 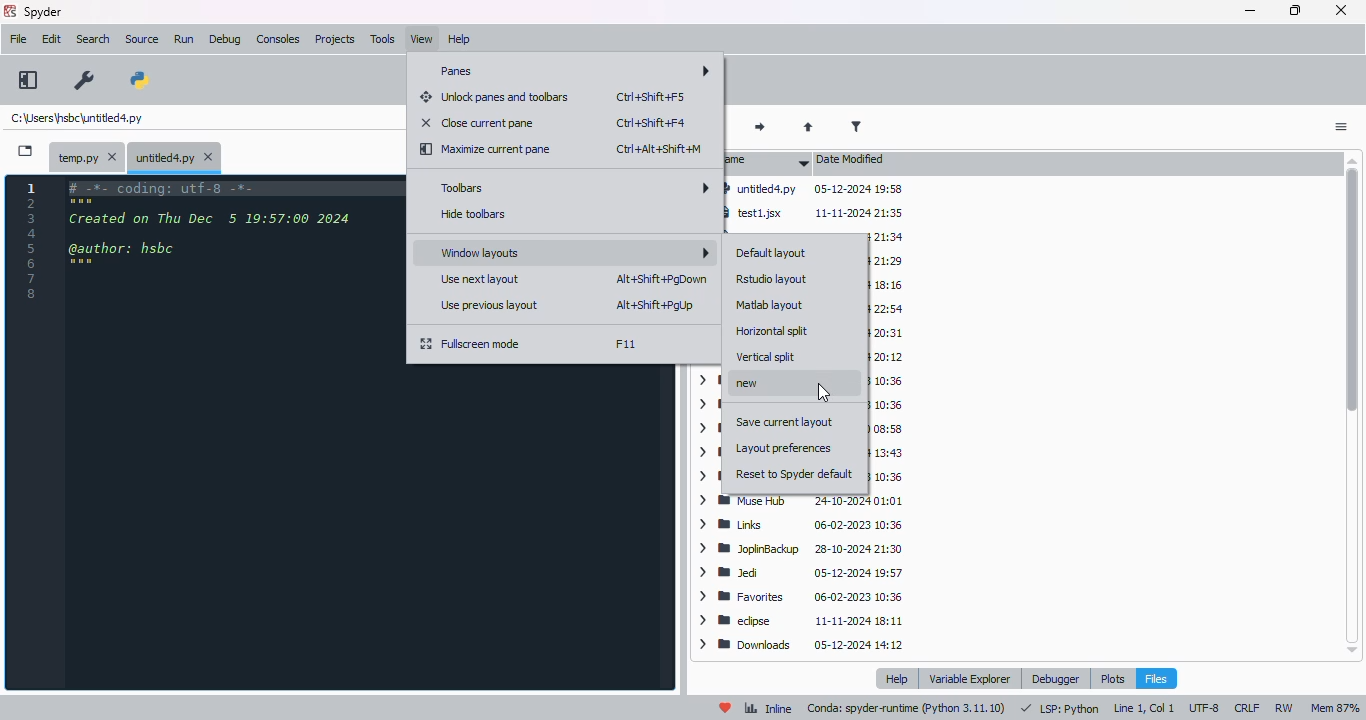 I want to click on help, so click(x=900, y=678).